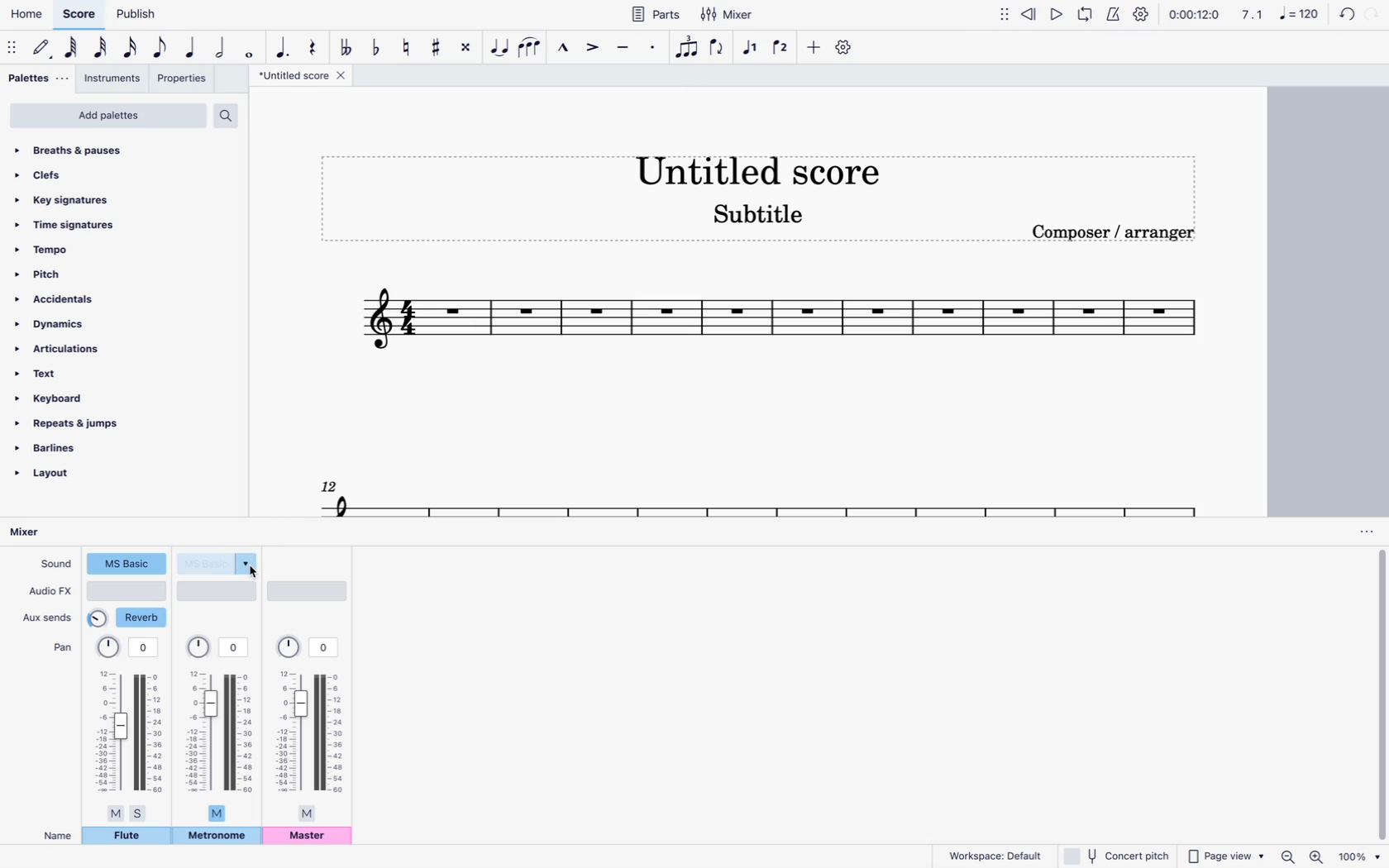 This screenshot has width=1389, height=868. What do you see at coordinates (1277, 17) in the screenshot?
I see `scale` at bounding box center [1277, 17].